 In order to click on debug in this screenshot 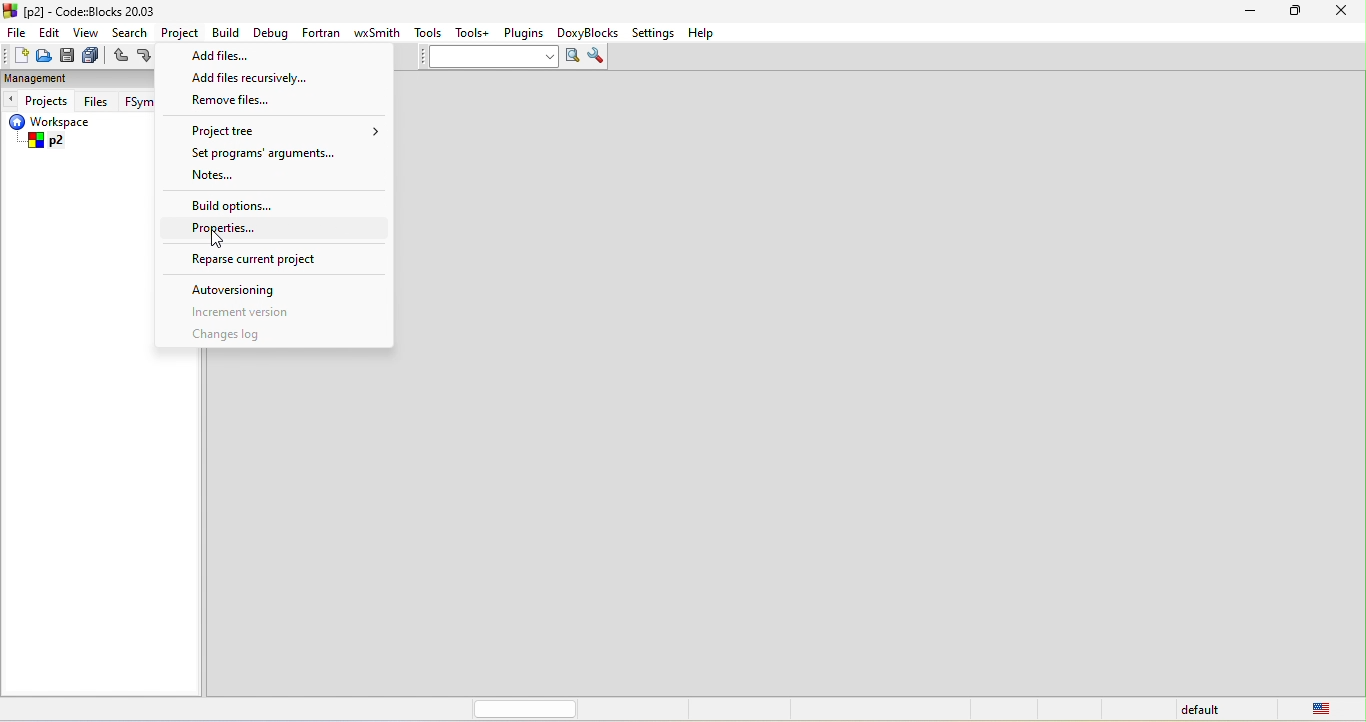, I will do `click(272, 35)`.